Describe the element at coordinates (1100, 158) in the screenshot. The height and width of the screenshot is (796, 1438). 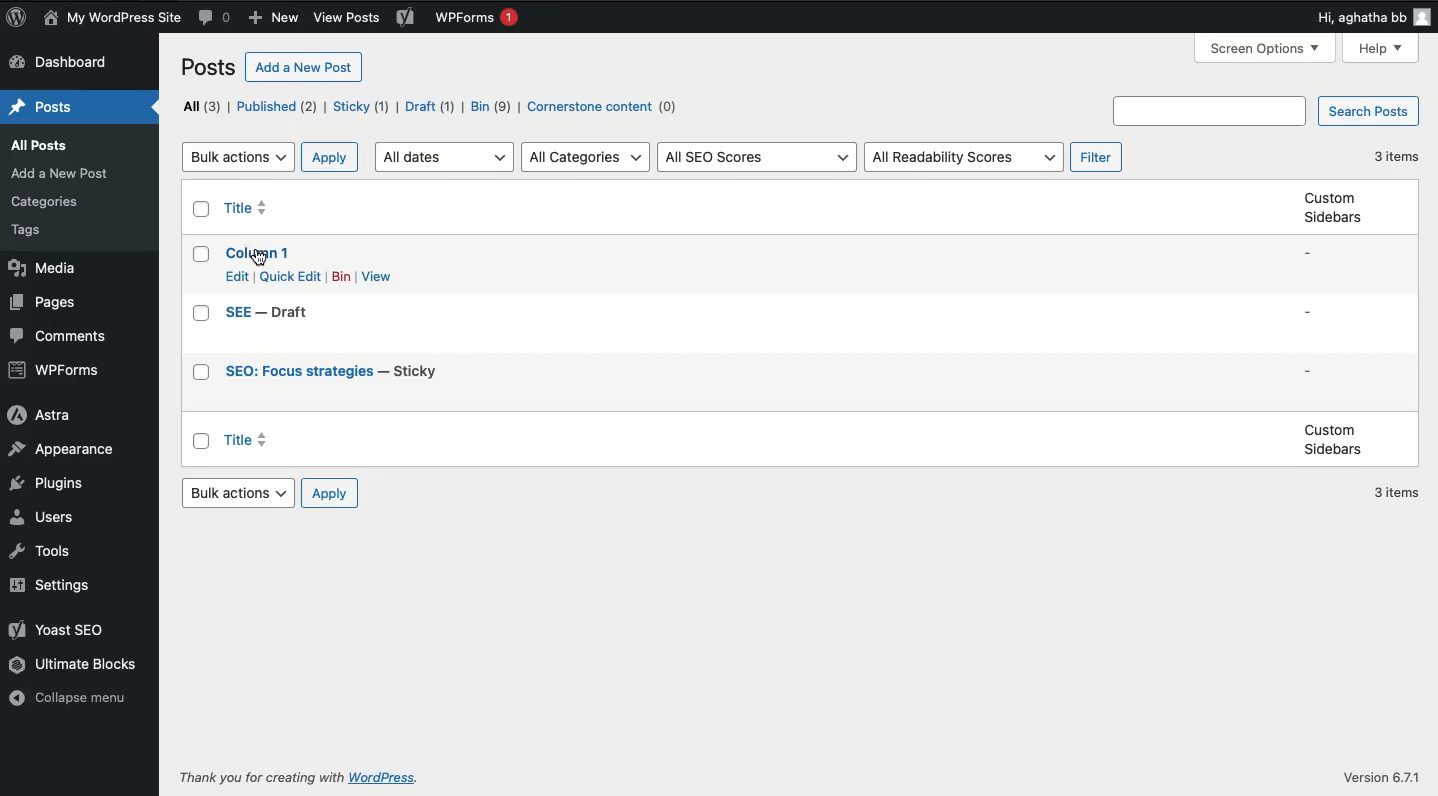
I see `Filter` at that location.